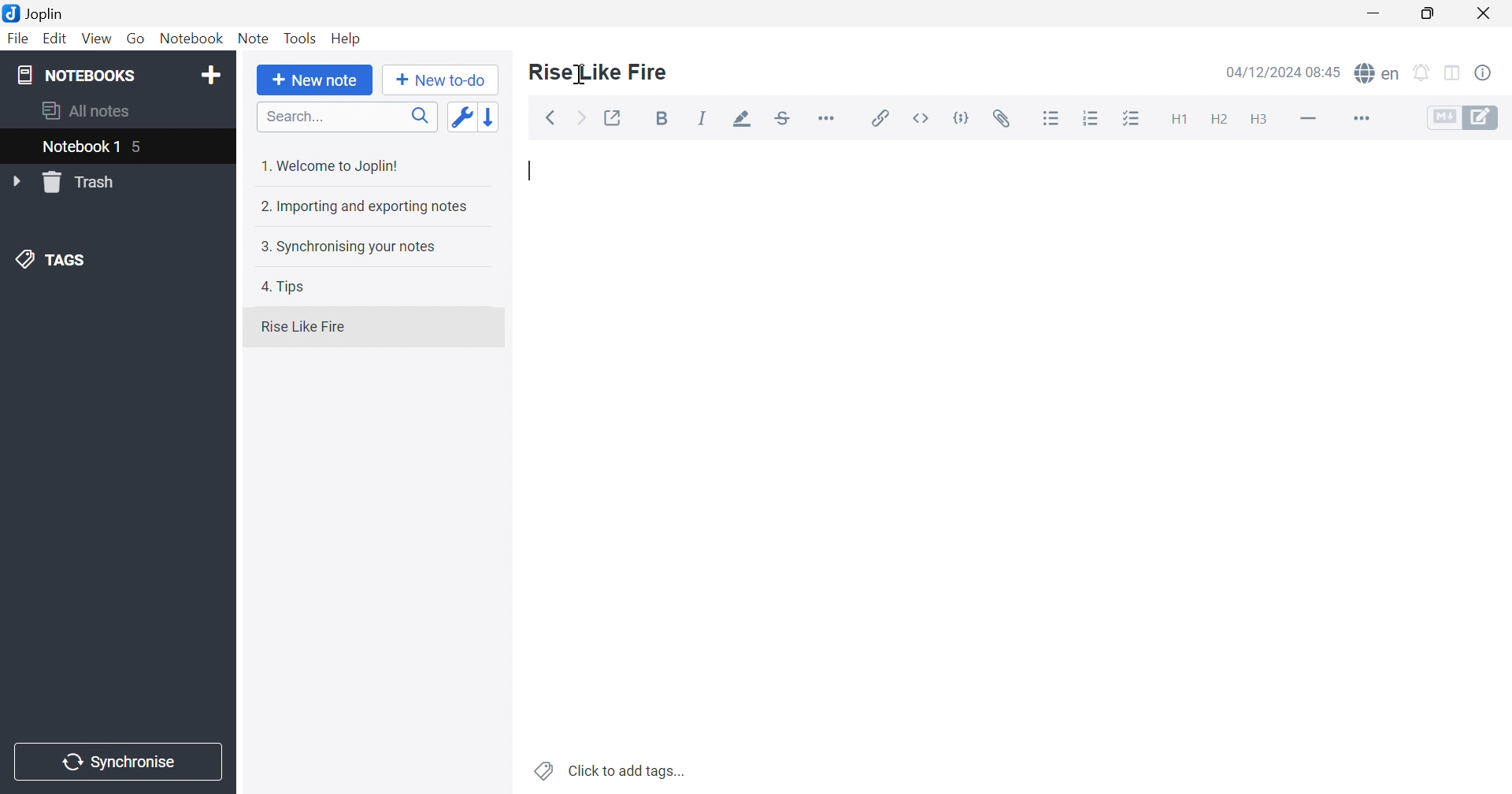 The width and height of the screenshot is (1512, 794). I want to click on Checkbox list, so click(1132, 120).